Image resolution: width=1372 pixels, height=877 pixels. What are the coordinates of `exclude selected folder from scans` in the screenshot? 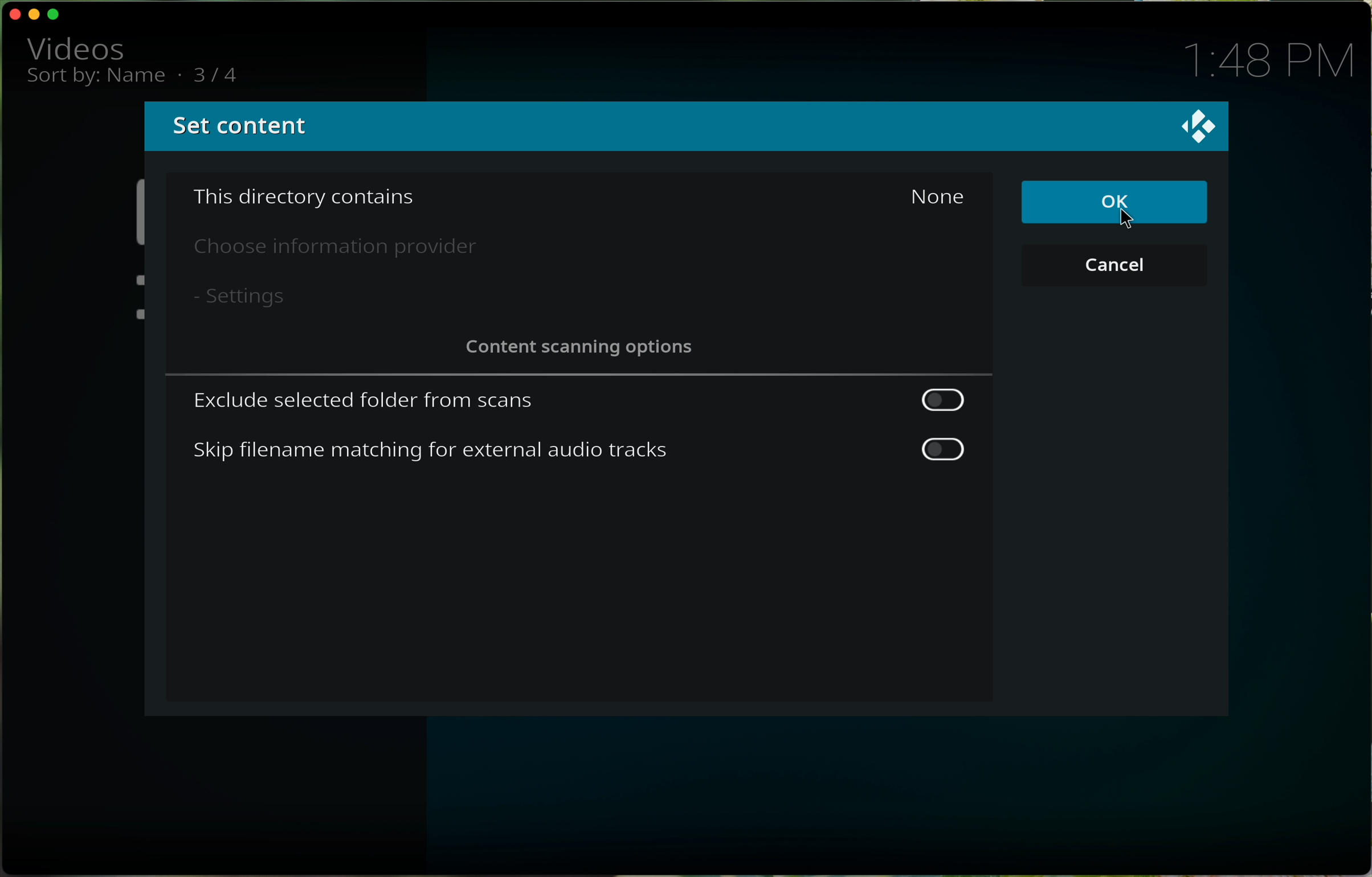 It's located at (581, 401).